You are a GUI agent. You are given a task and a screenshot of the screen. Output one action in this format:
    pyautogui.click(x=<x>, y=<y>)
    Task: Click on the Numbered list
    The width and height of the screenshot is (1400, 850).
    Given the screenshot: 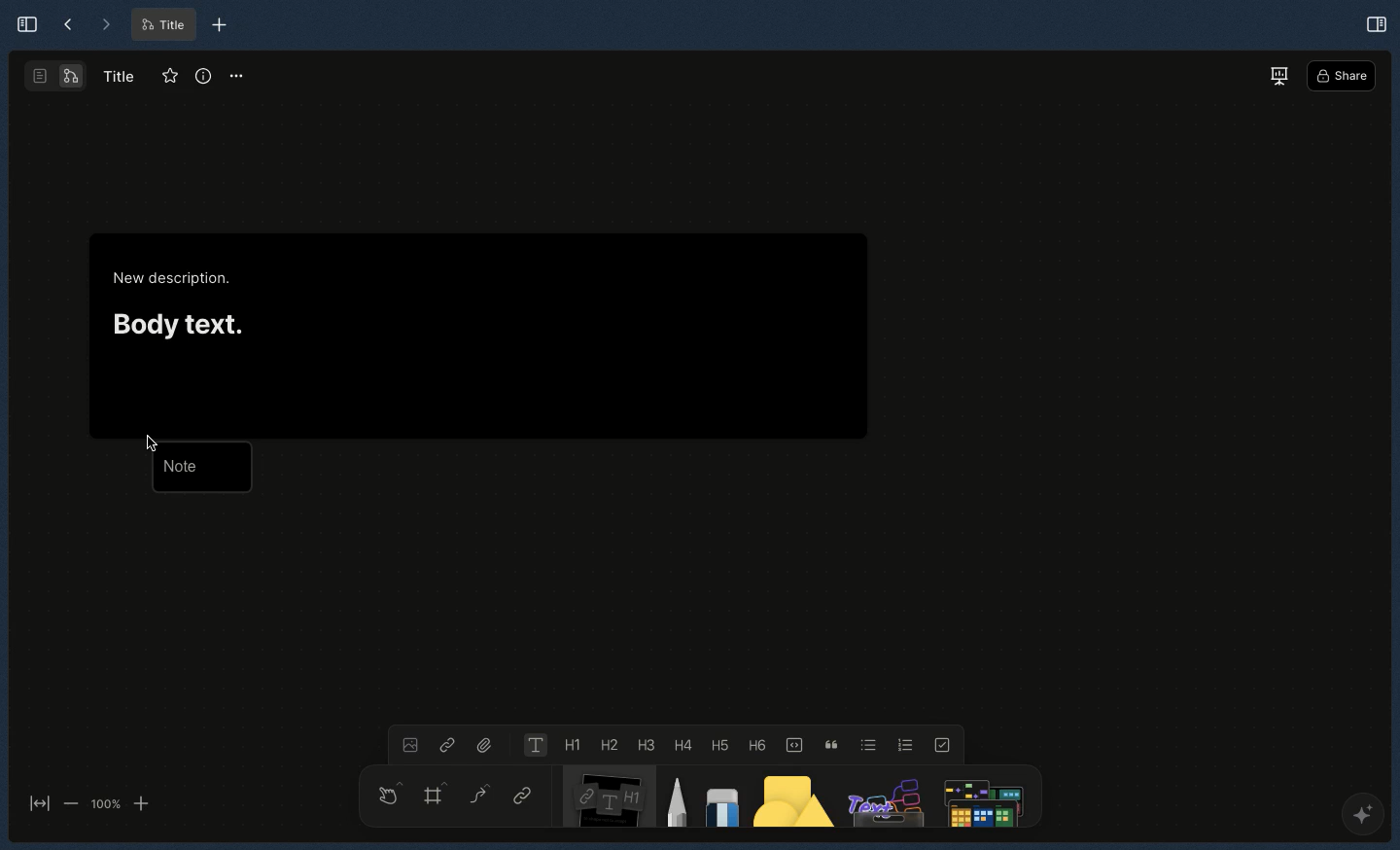 What is the action you would take?
    pyautogui.click(x=906, y=744)
    